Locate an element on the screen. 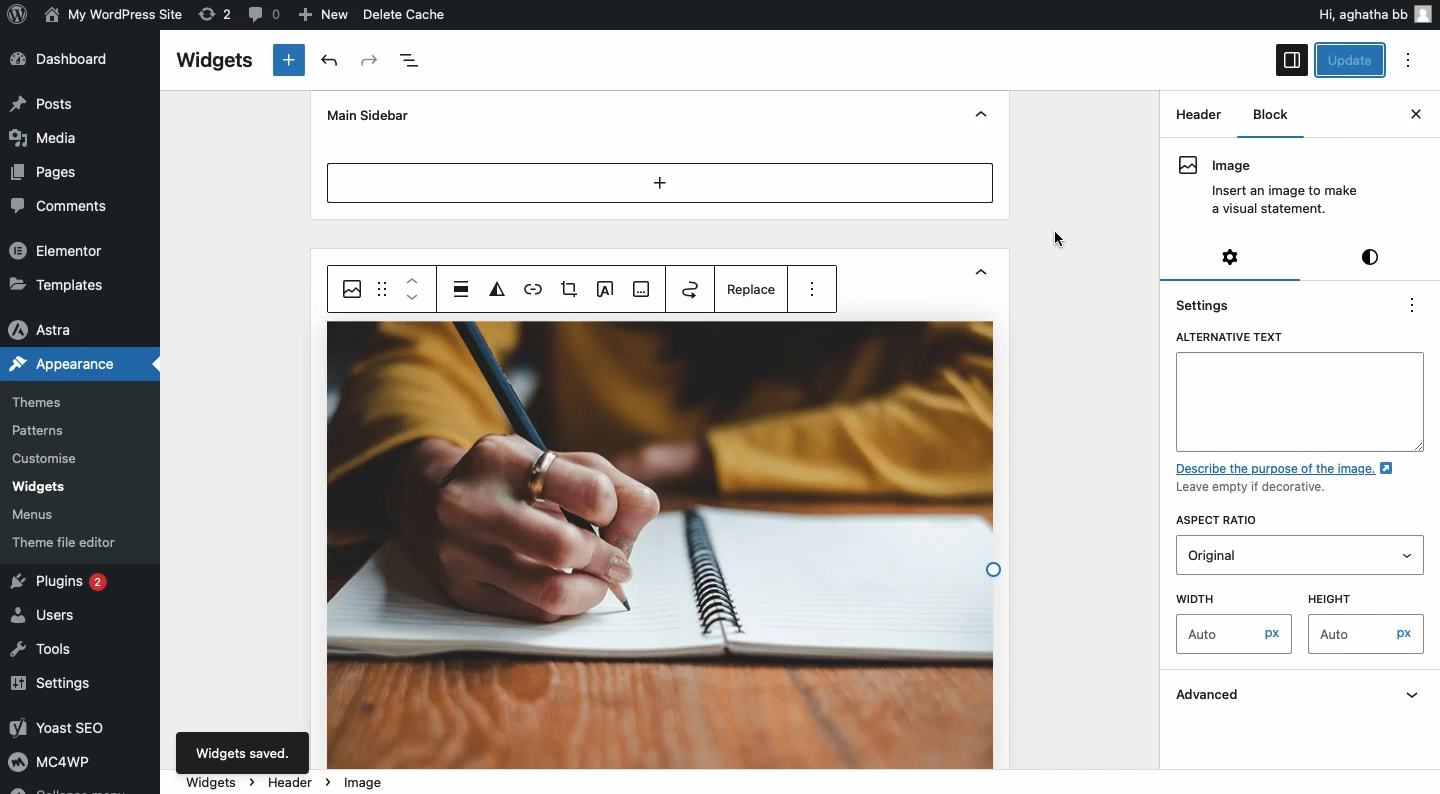 This screenshot has height=794, width=1440. Elementor is located at coordinates (58, 249).